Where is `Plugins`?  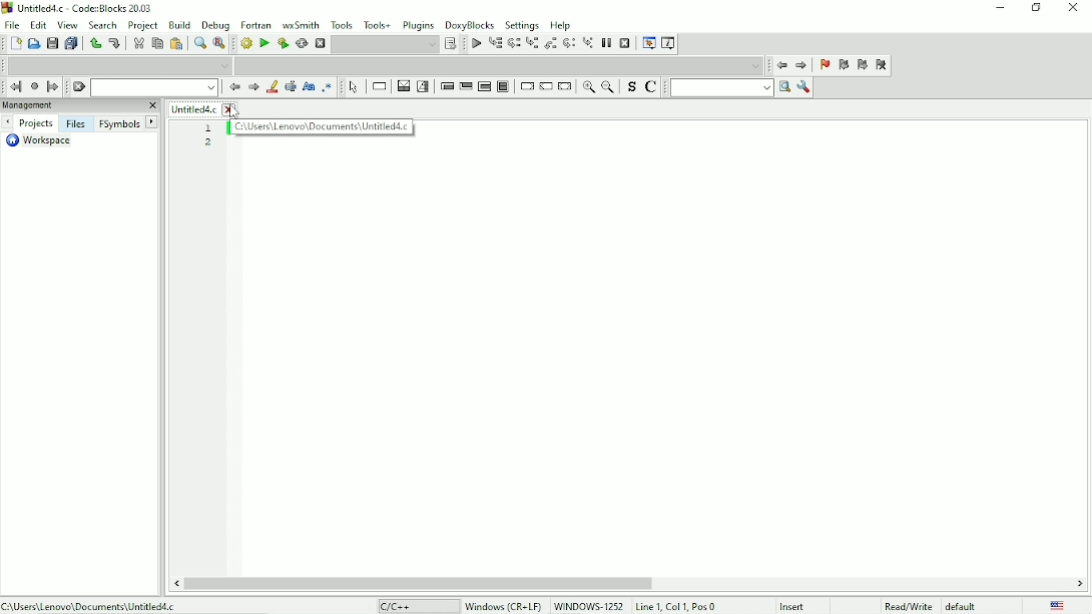
Plugins is located at coordinates (417, 25).